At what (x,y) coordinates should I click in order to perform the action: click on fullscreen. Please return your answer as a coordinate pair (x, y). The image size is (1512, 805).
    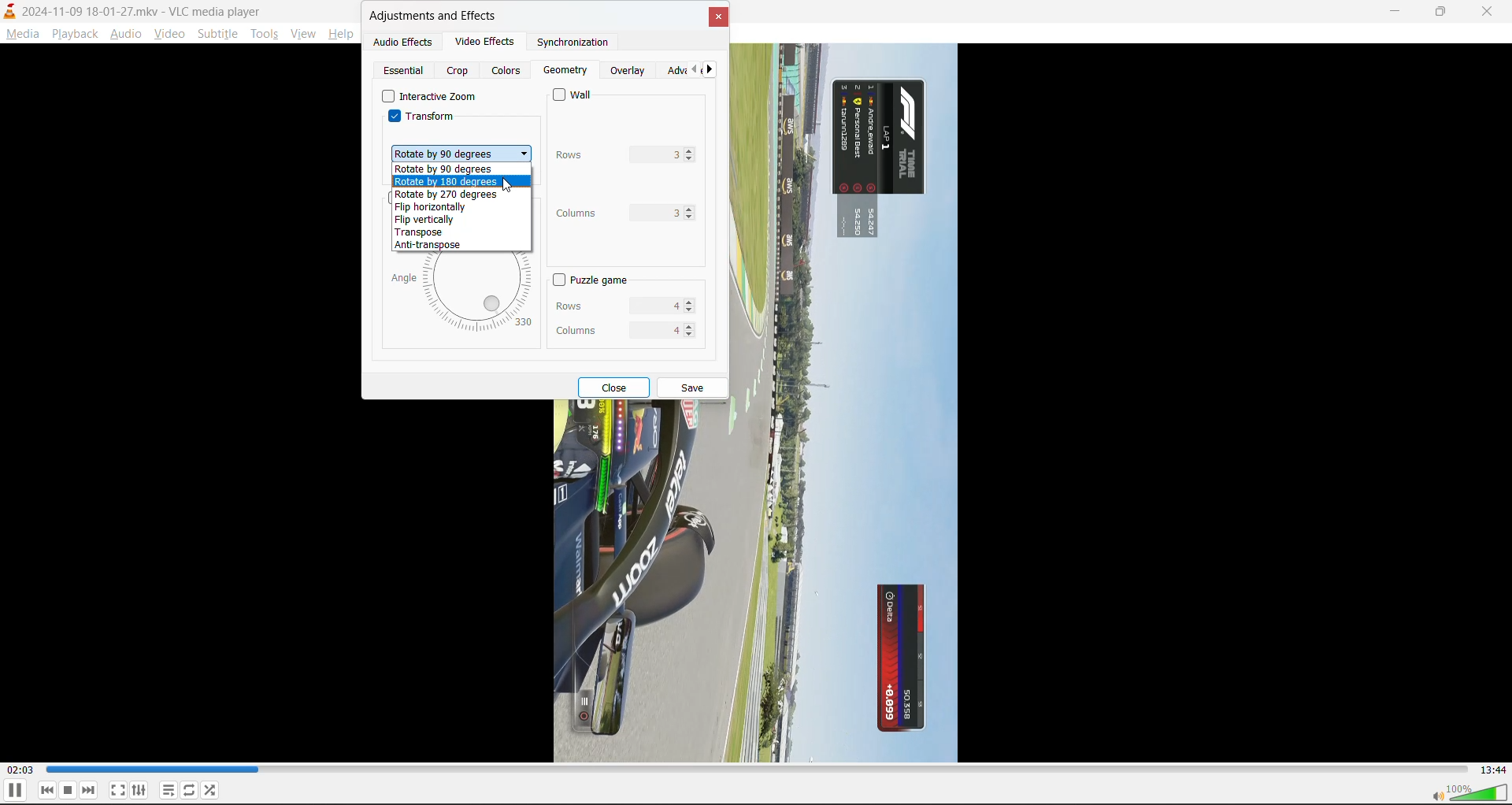
    Looking at the image, I should click on (118, 790).